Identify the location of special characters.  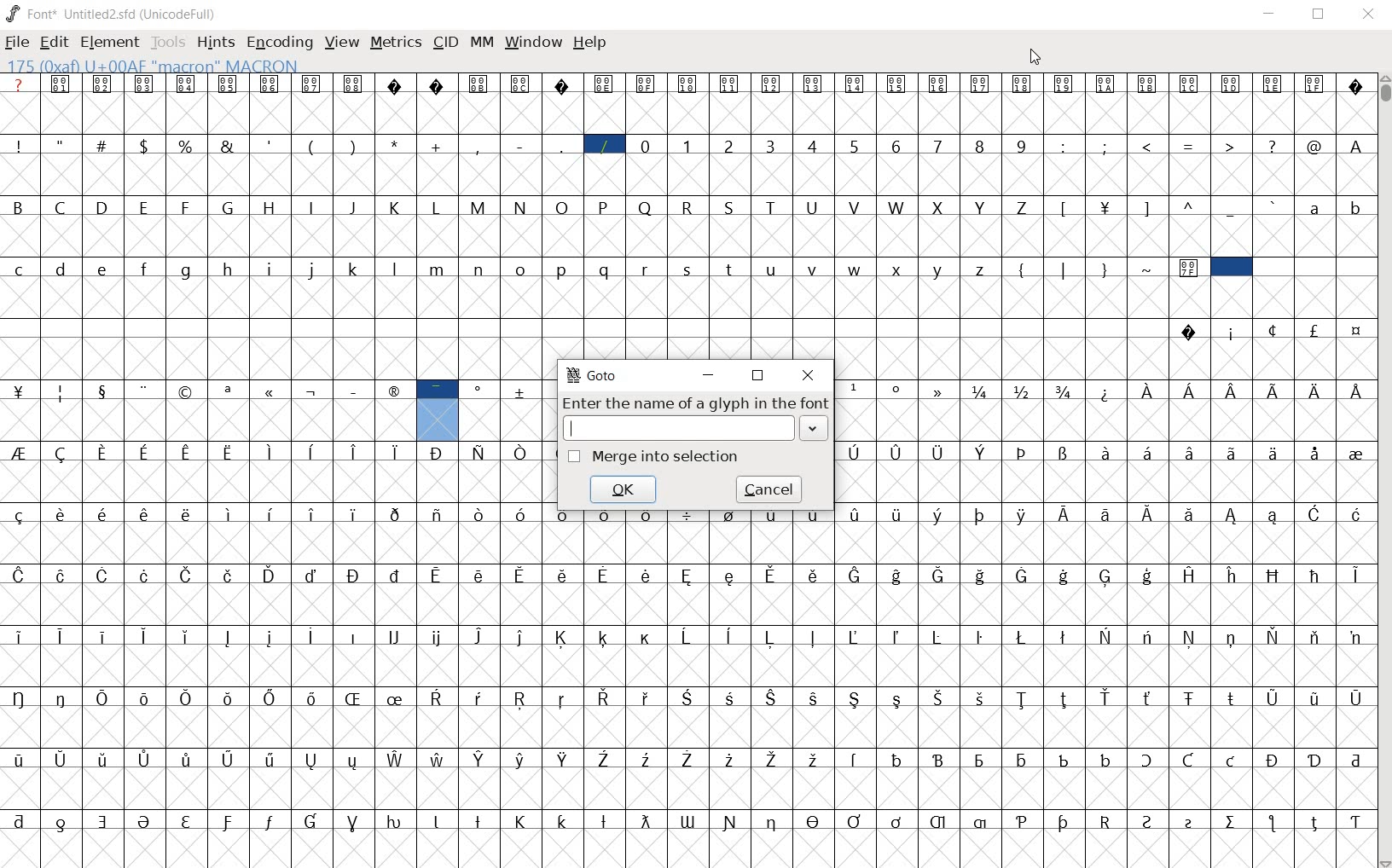
(1104, 286).